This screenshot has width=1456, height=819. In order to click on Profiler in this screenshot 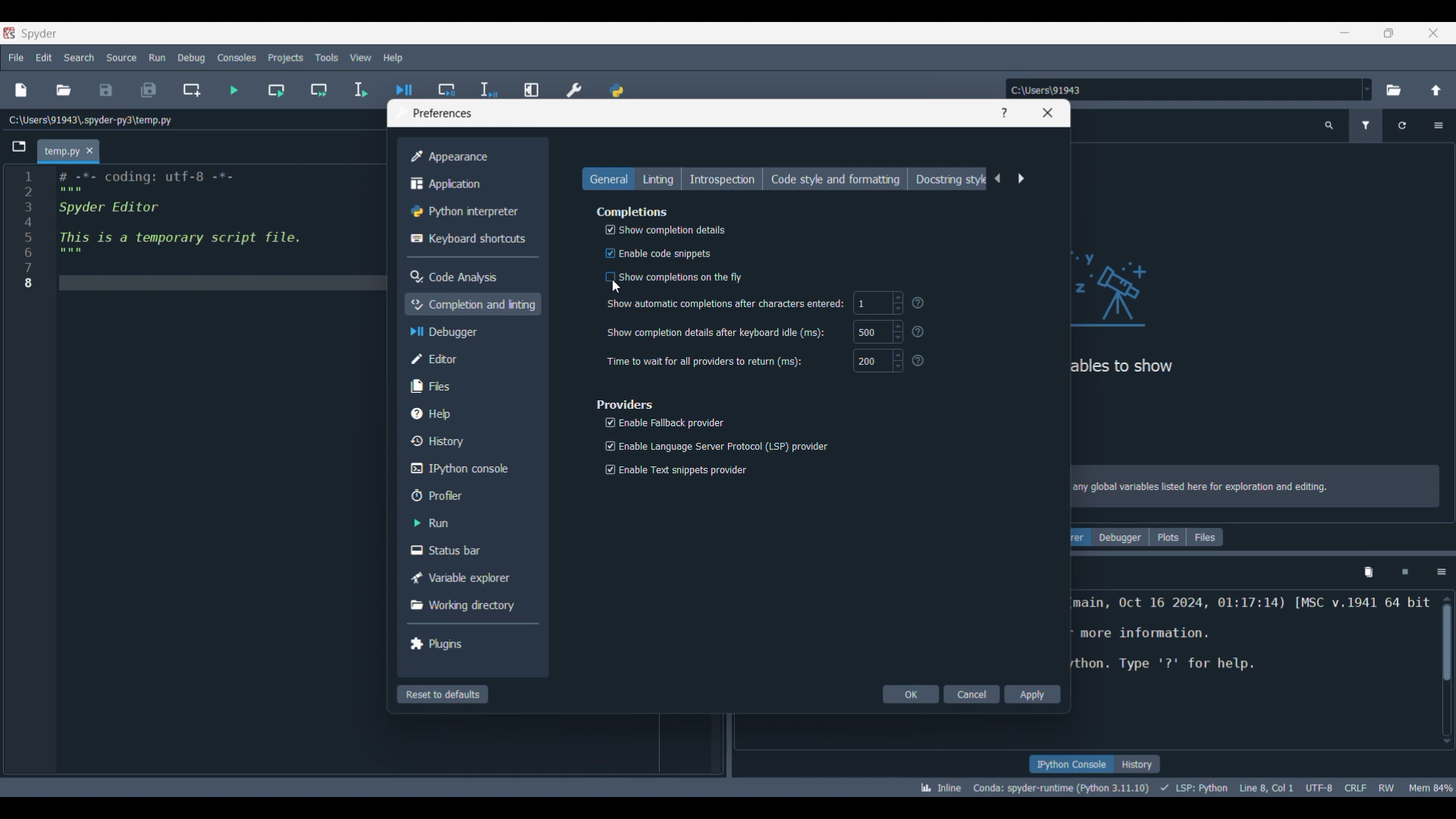, I will do `click(470, 495)`.